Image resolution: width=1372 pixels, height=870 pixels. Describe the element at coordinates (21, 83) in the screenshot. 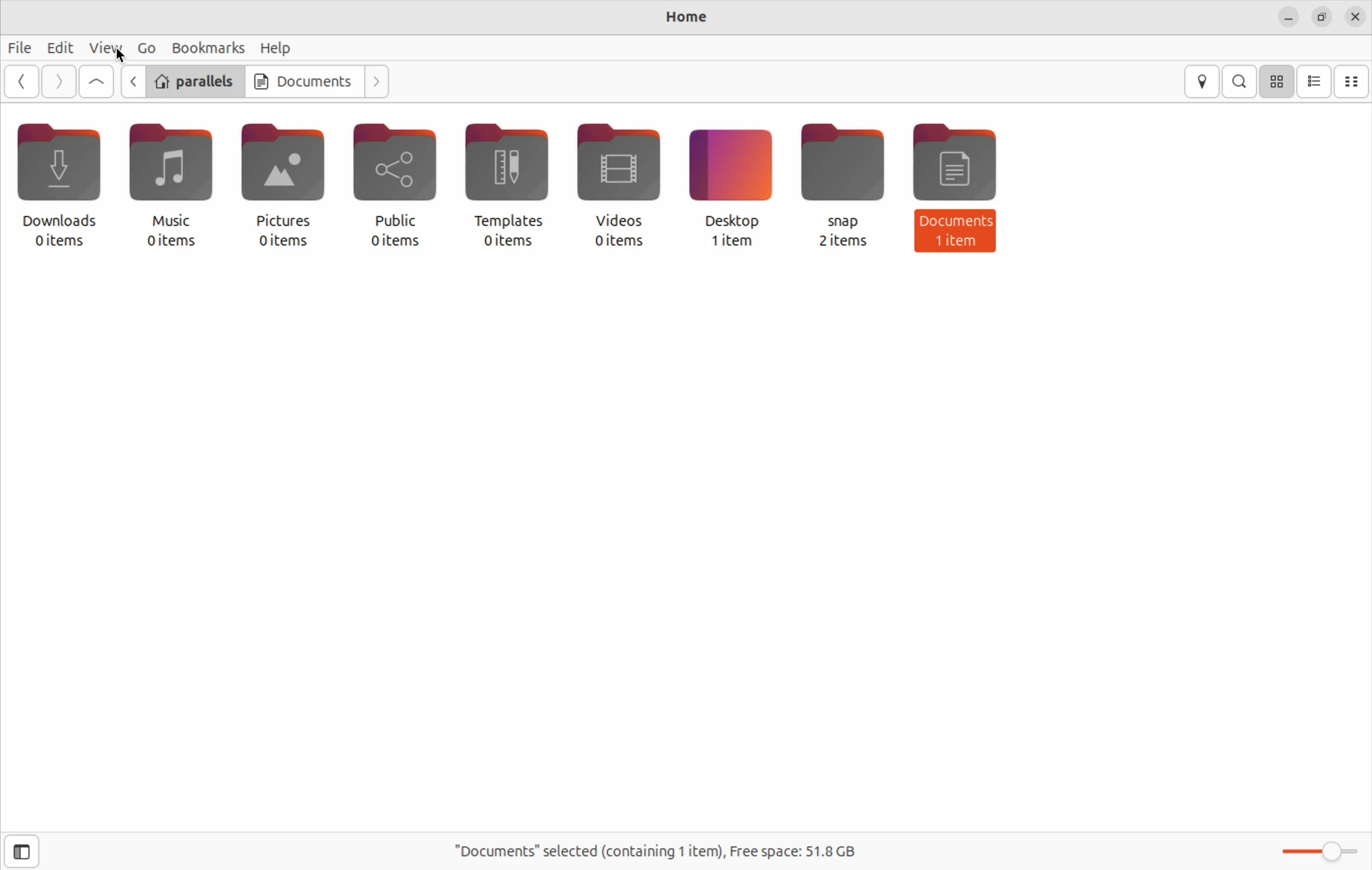

I see `Go back` at that location.